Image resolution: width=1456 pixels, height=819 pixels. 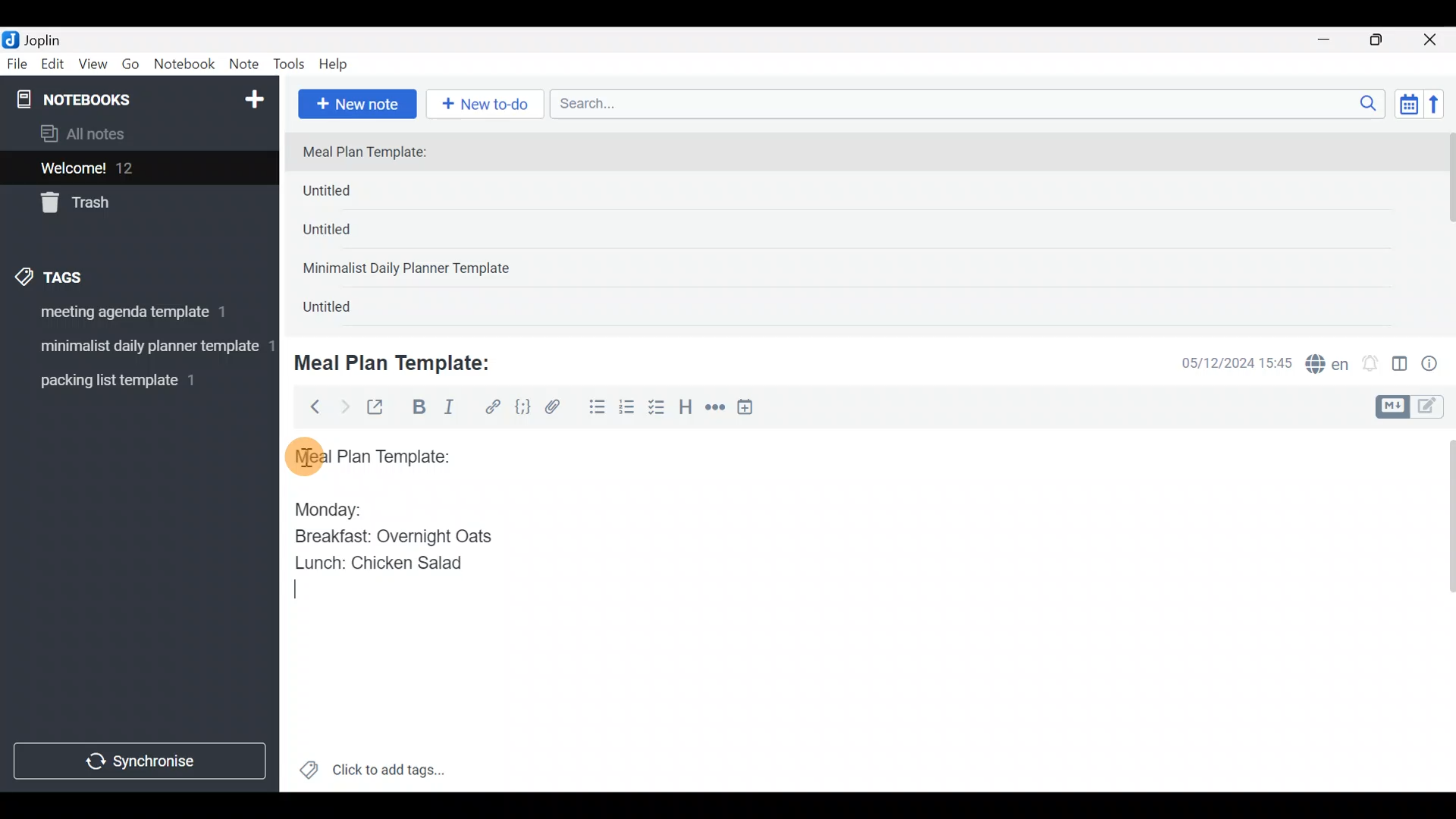 I want to click on Toggle editors, so click(x=1414, y=405).